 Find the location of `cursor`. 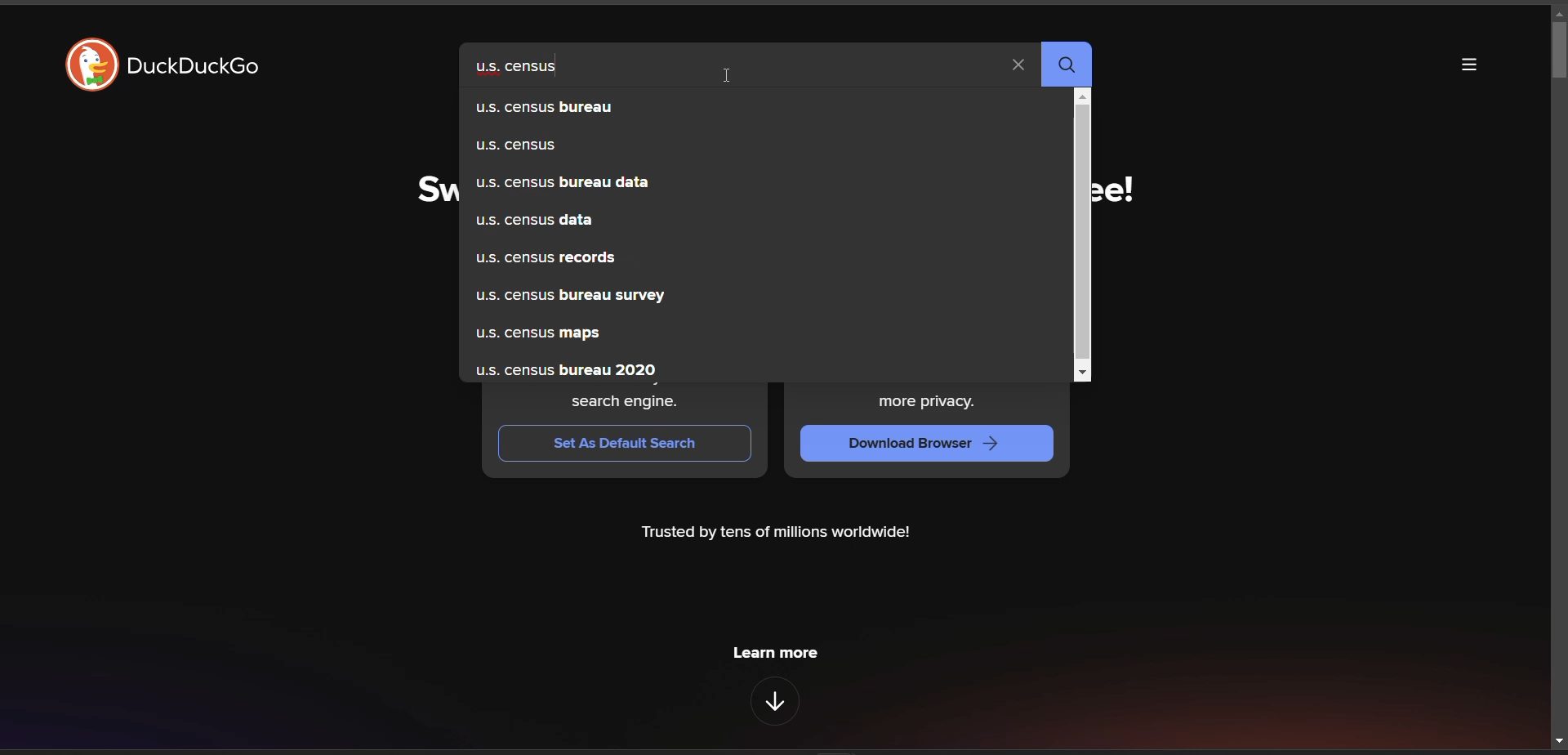

cursor is located at coordinates (728, 74).